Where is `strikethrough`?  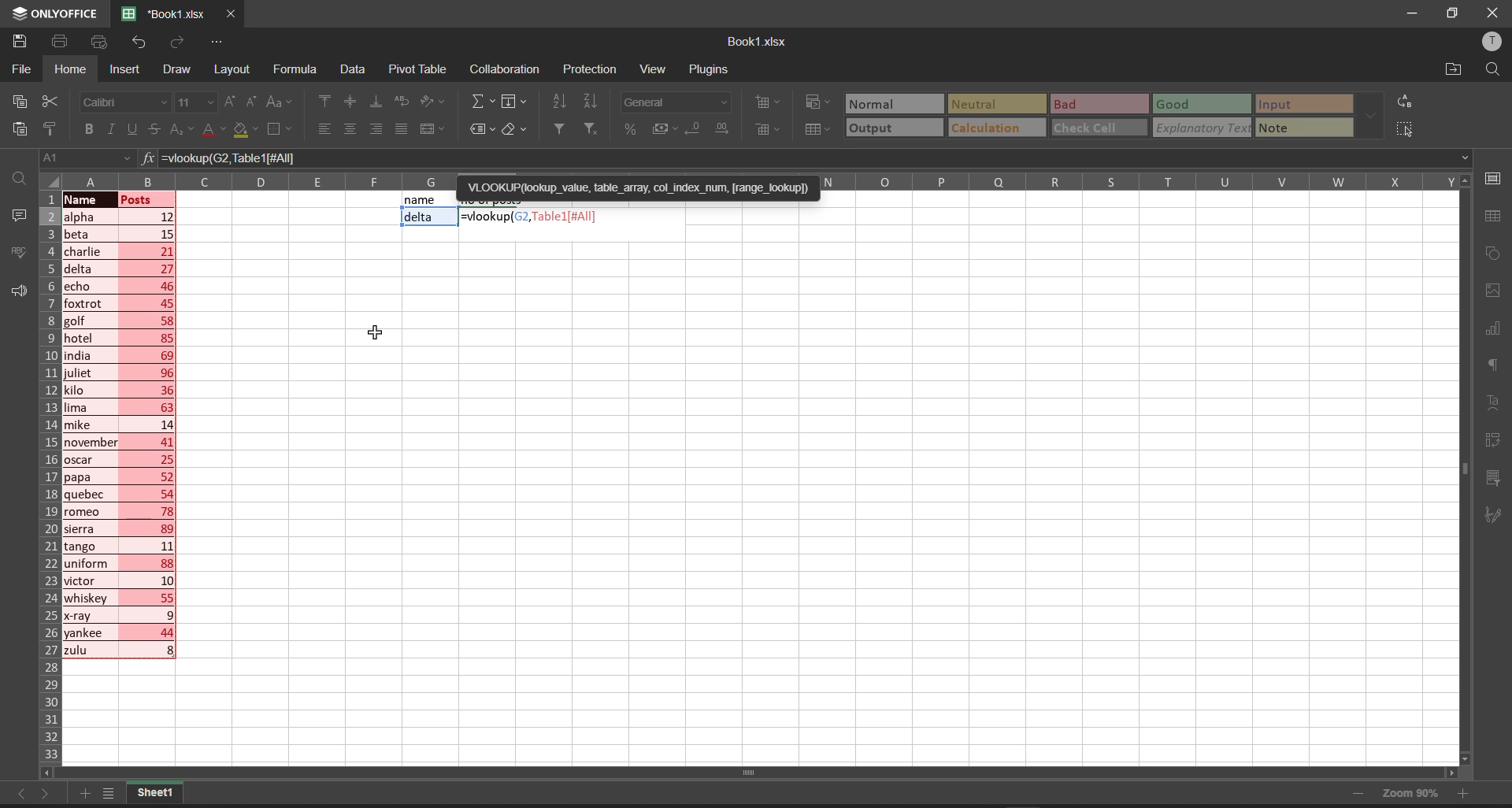 strikethrough is located at coordinates (154, 131).